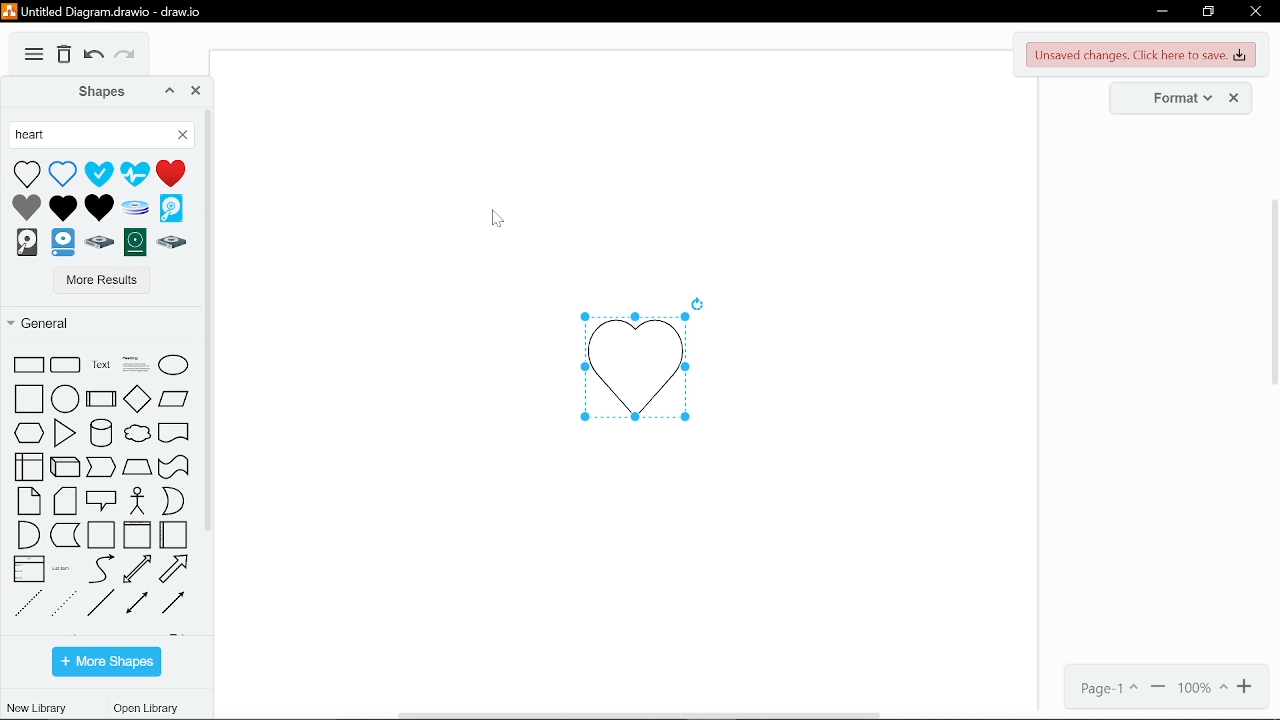  Describe the element at coordinates (1162, 12) in the screenshot. I see `minimize` at that location.